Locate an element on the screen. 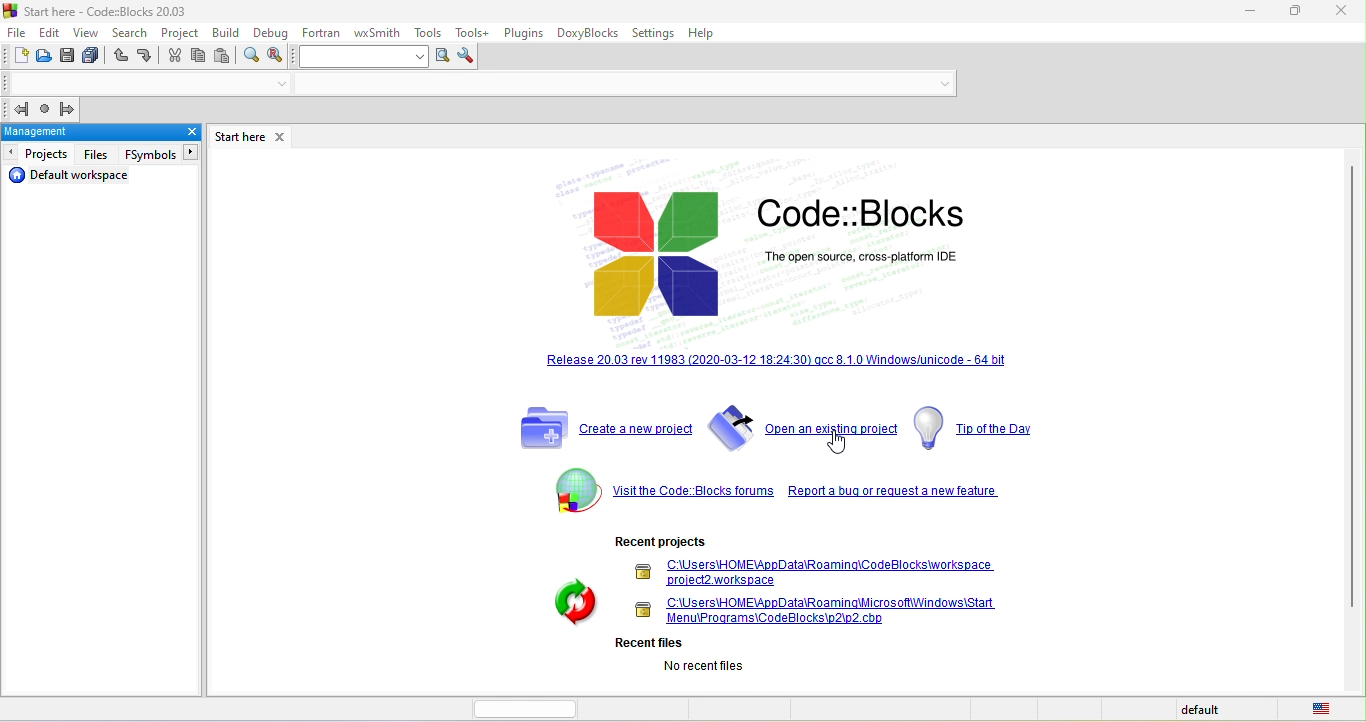  united state is located at coordinates (1324, 710).